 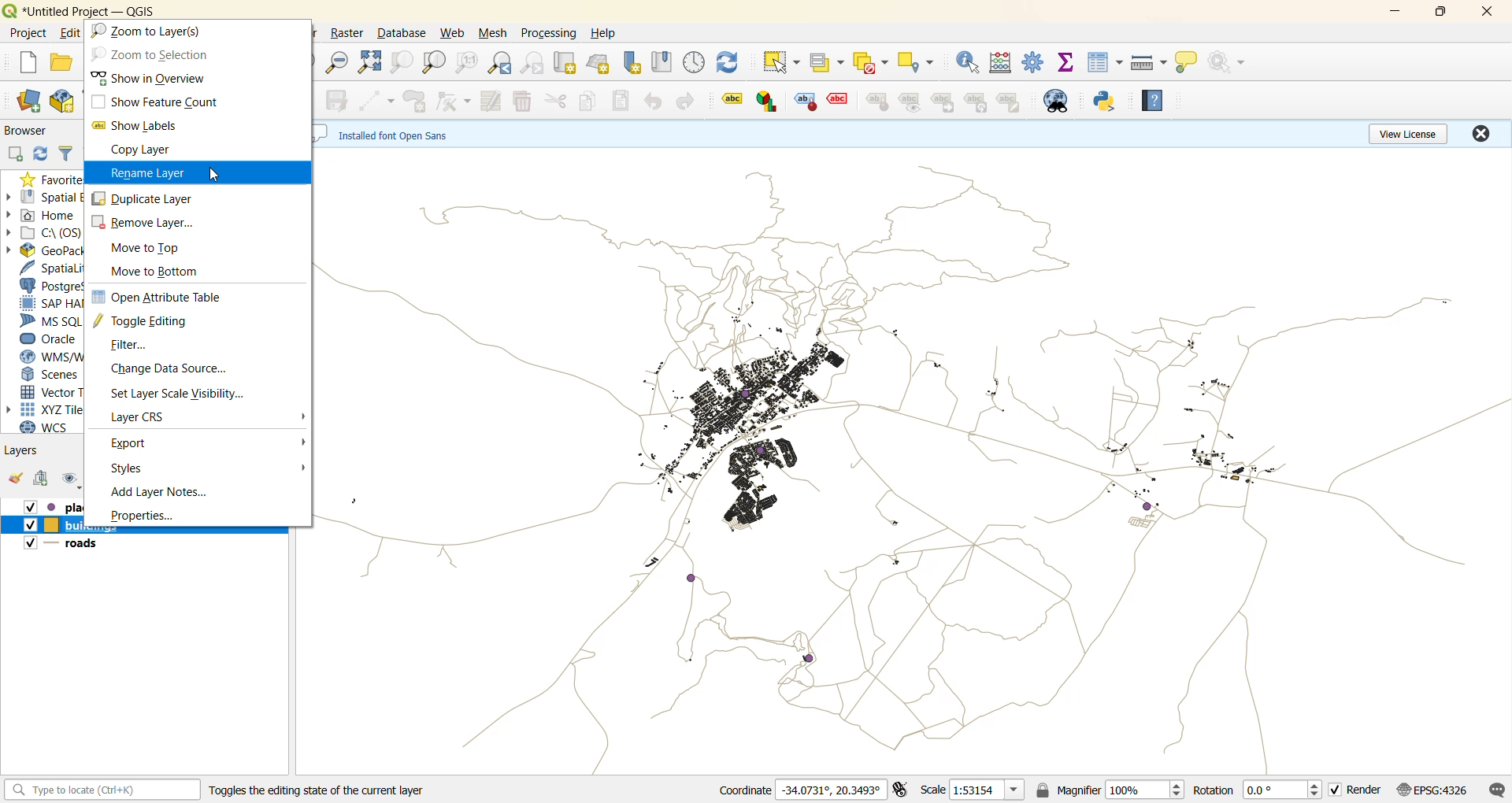 What do you see at coordinates (43, 198) in the screenshot?
I see `spatial bookmarks` at bounding box center [43, 198].